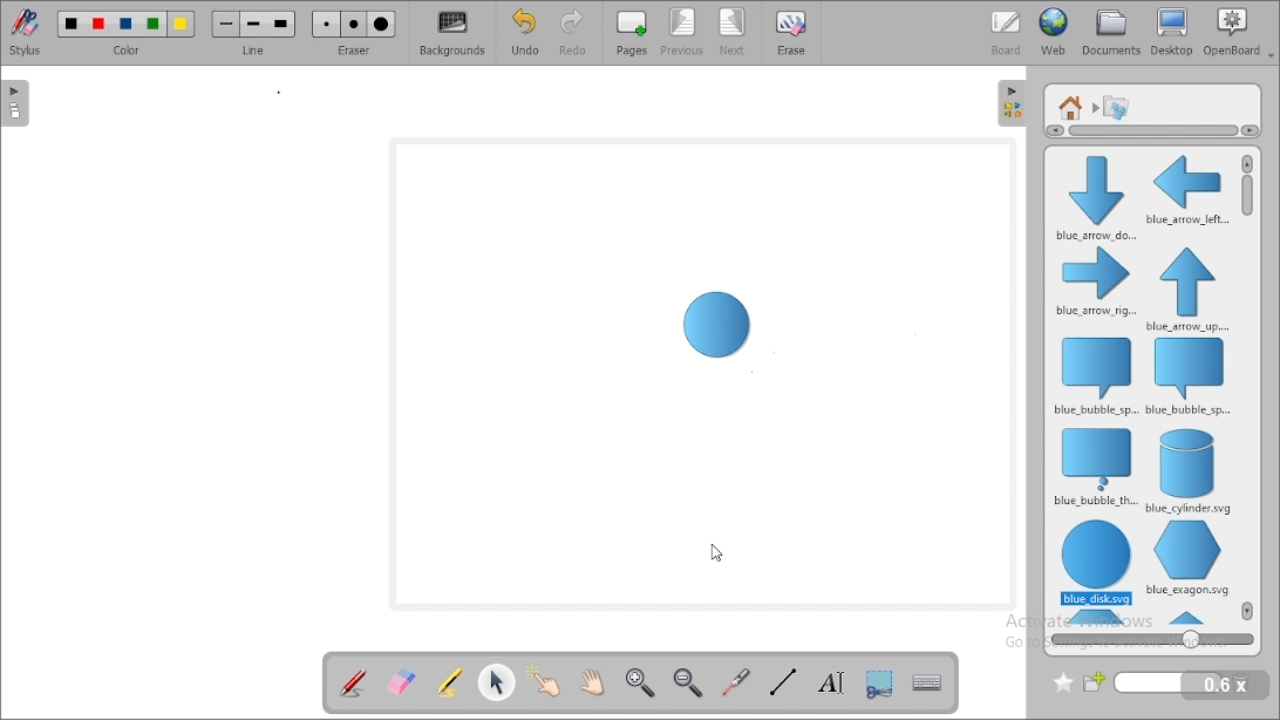 This screenshot has width=1280, height=720. Describe the element at coordinates (1187, 558) in the screenshot. I see `blue exagon` at that location.